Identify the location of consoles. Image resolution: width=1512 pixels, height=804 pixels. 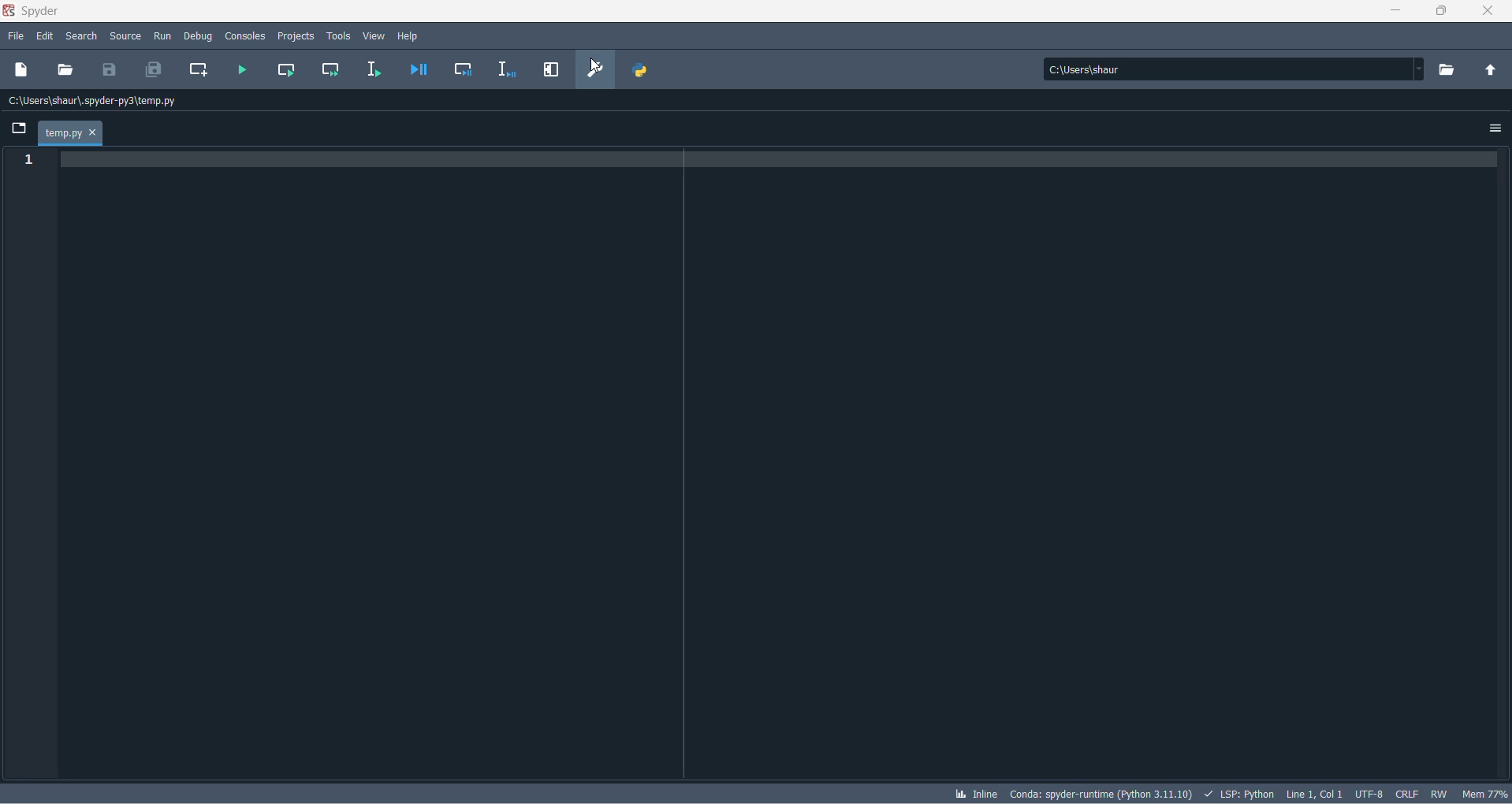
(245, 35).